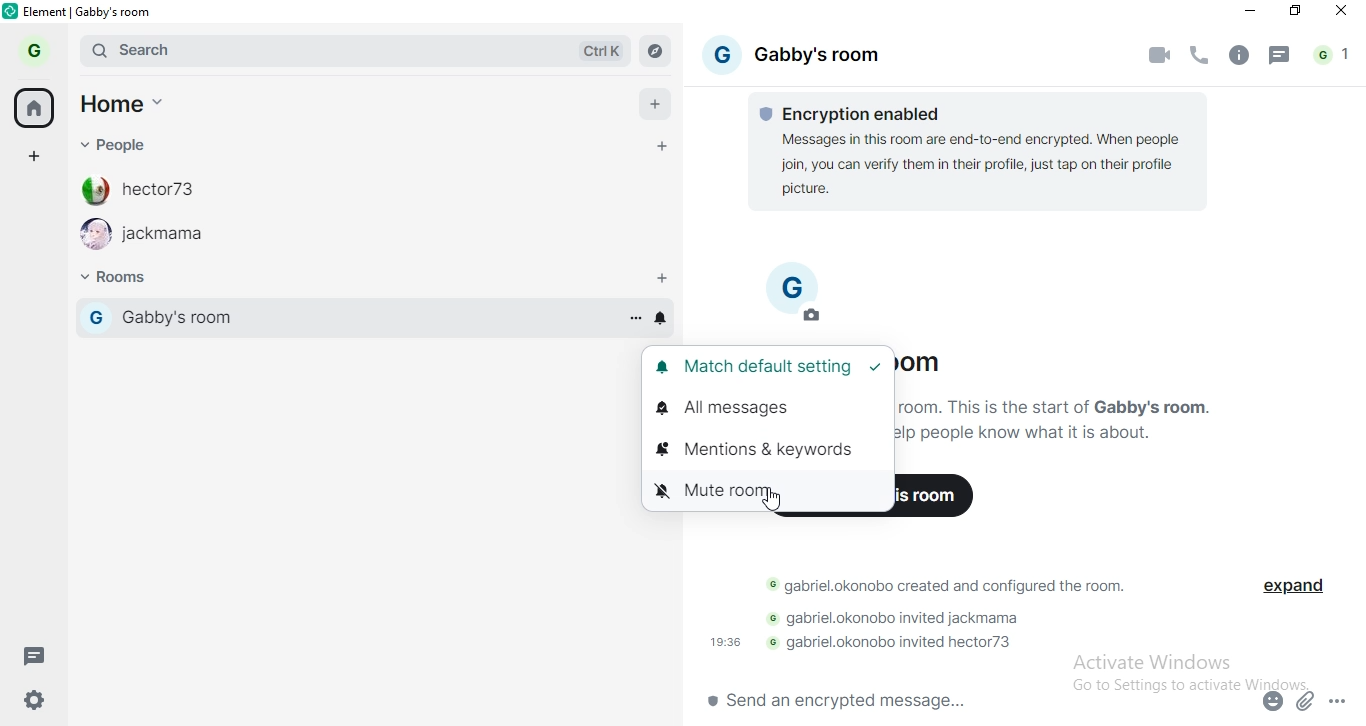  Describe the element at coordinates (911, 617) in the screenshot. I see `text 3` at that location.